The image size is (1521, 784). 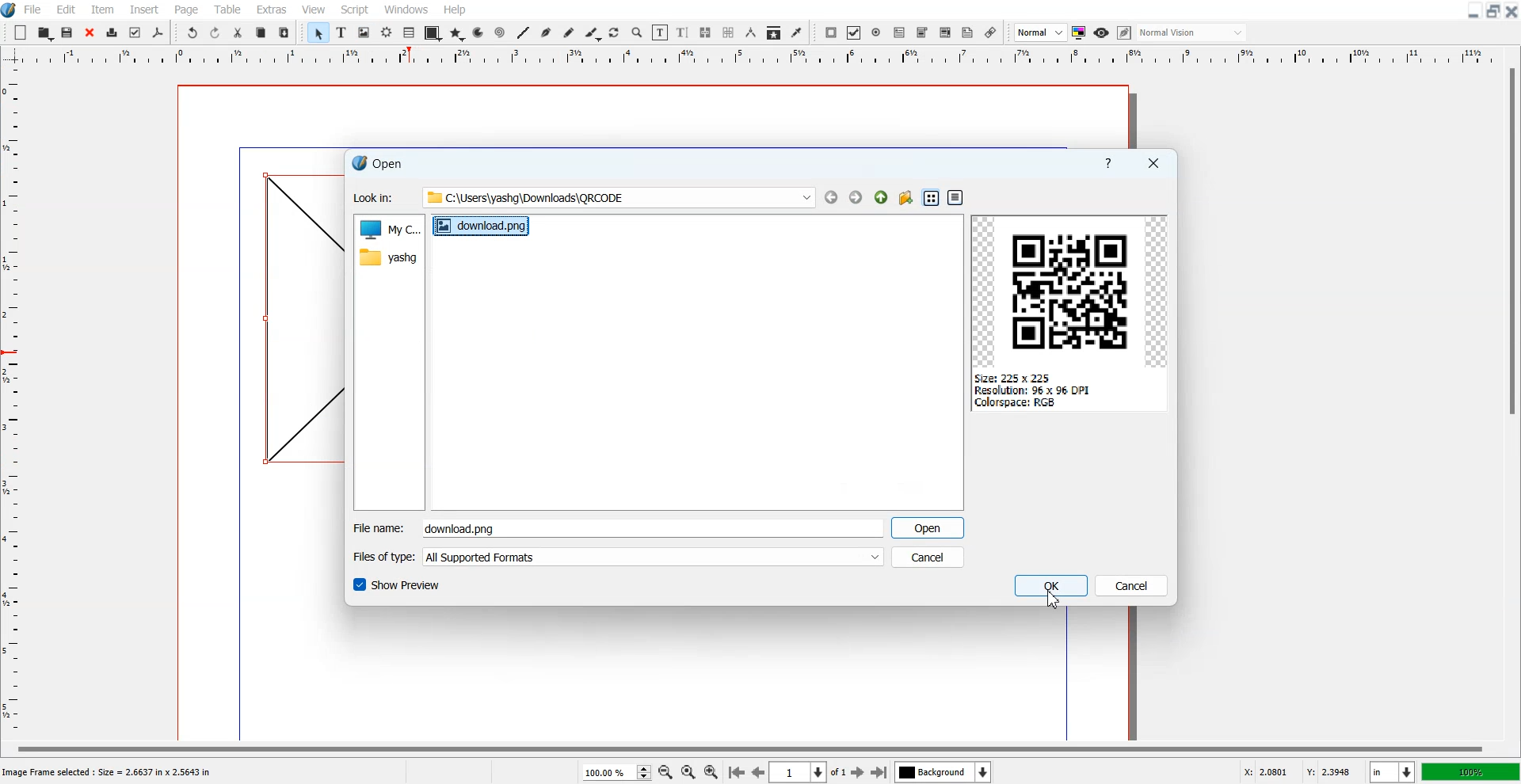 What do you see at coordinates (757, 772) in the screenshot?
I see `Go to Previous page` at bounding box center [757, 772].